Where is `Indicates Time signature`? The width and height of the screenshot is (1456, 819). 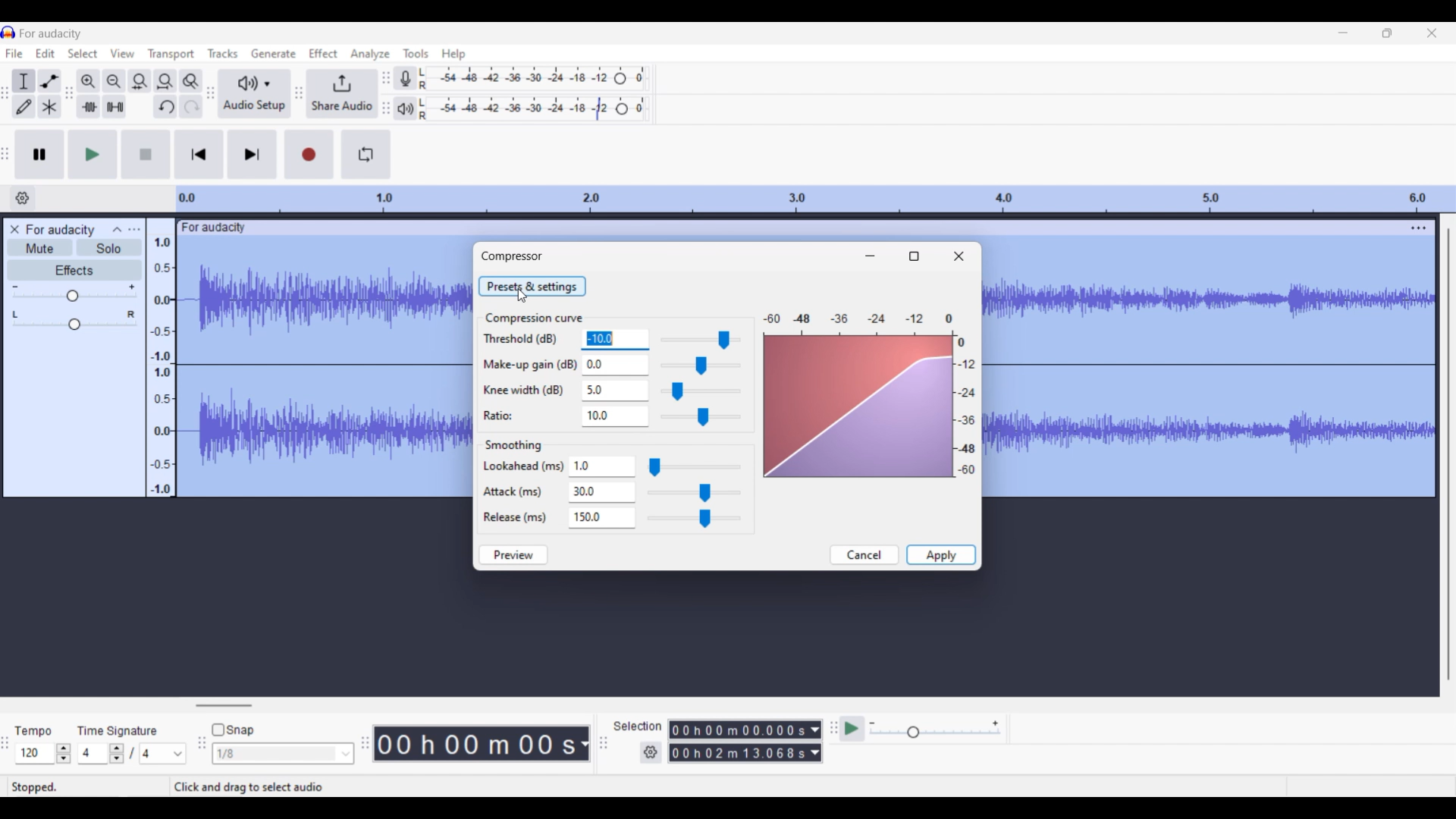
Indicates Time signature is located at coordinates (118, 730).